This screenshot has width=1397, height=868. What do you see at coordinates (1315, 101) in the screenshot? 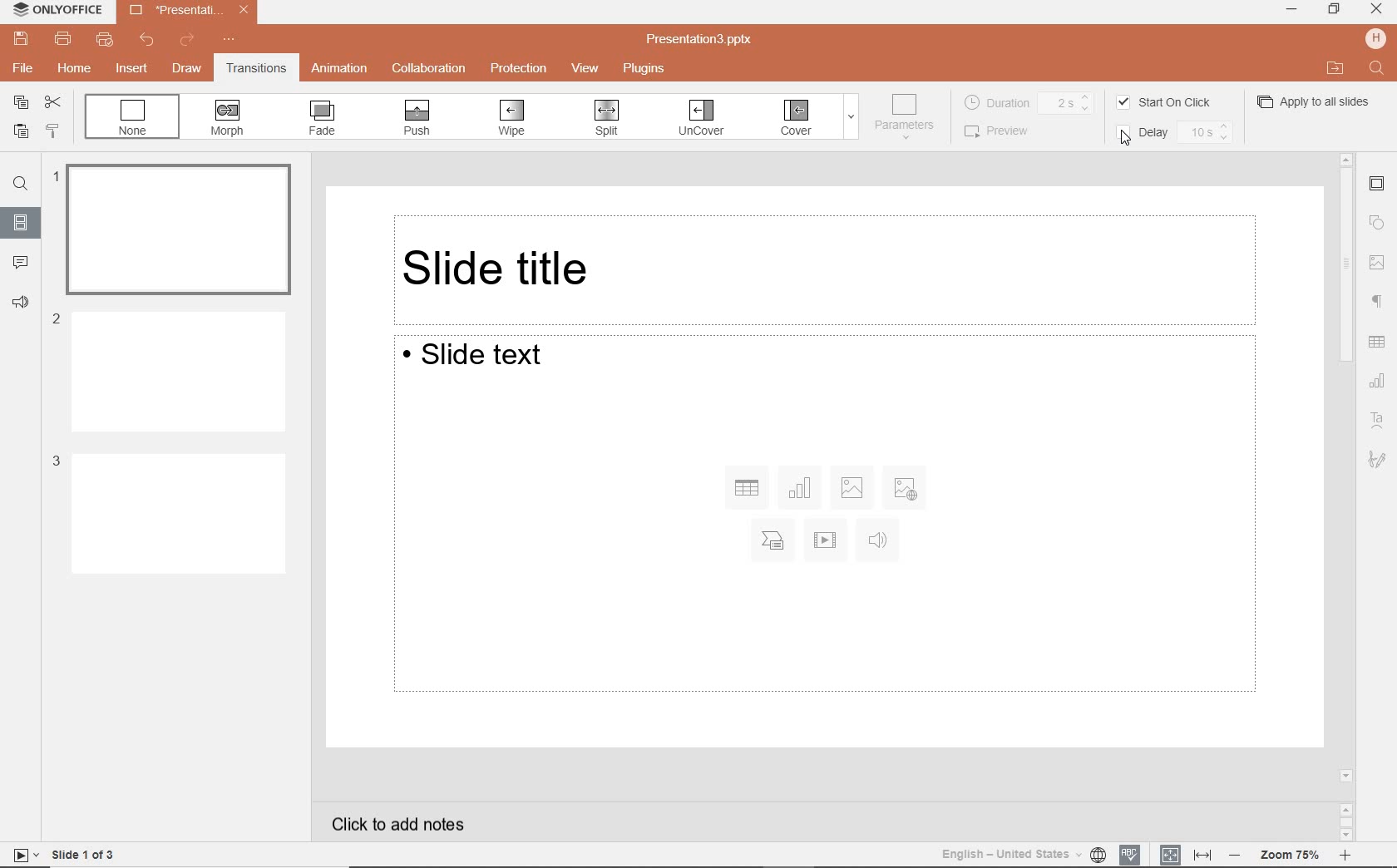
I see `APPLY TO ALL SLIDES` at bounding box center [1315, 101].